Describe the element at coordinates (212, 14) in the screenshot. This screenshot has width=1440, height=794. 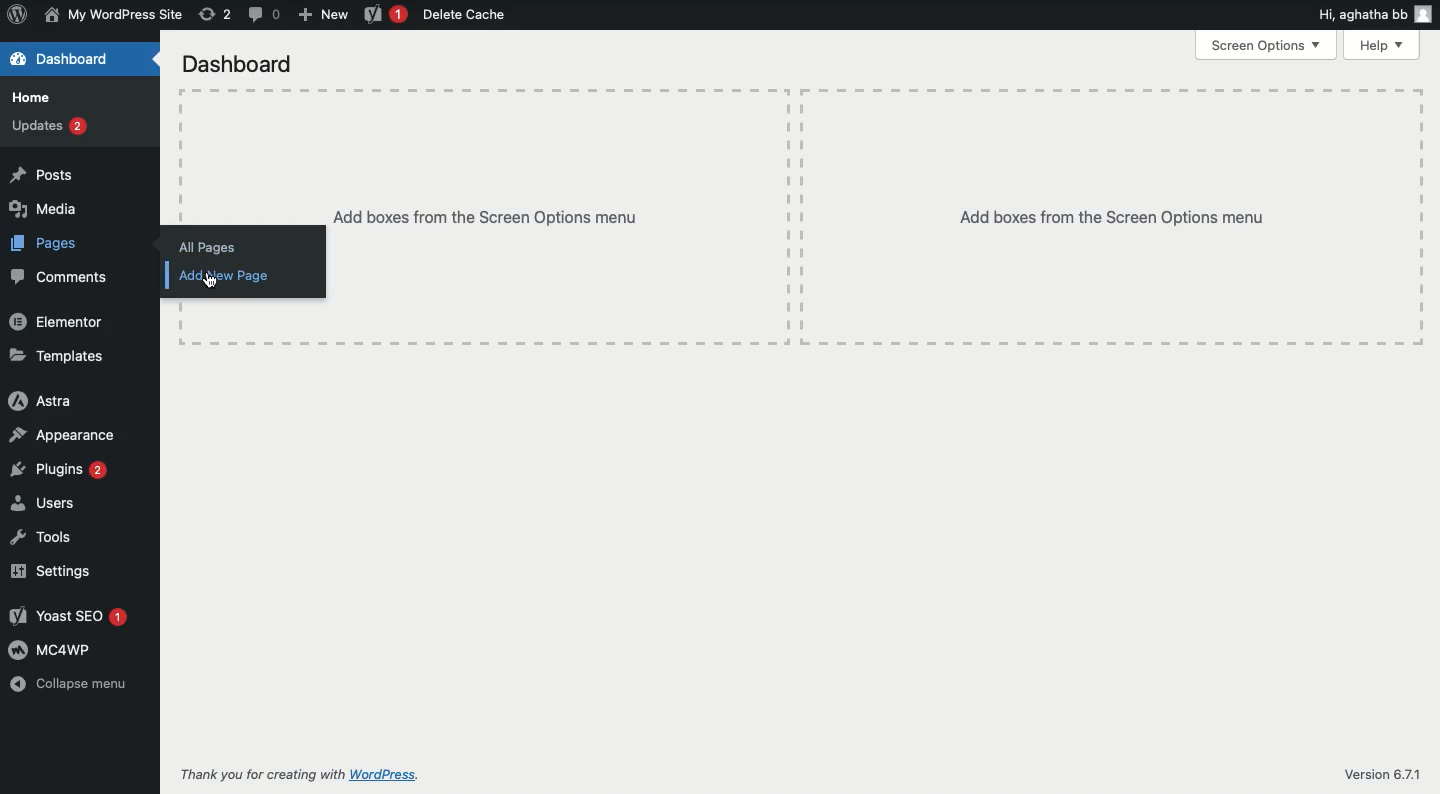
I see `Return` at that location.